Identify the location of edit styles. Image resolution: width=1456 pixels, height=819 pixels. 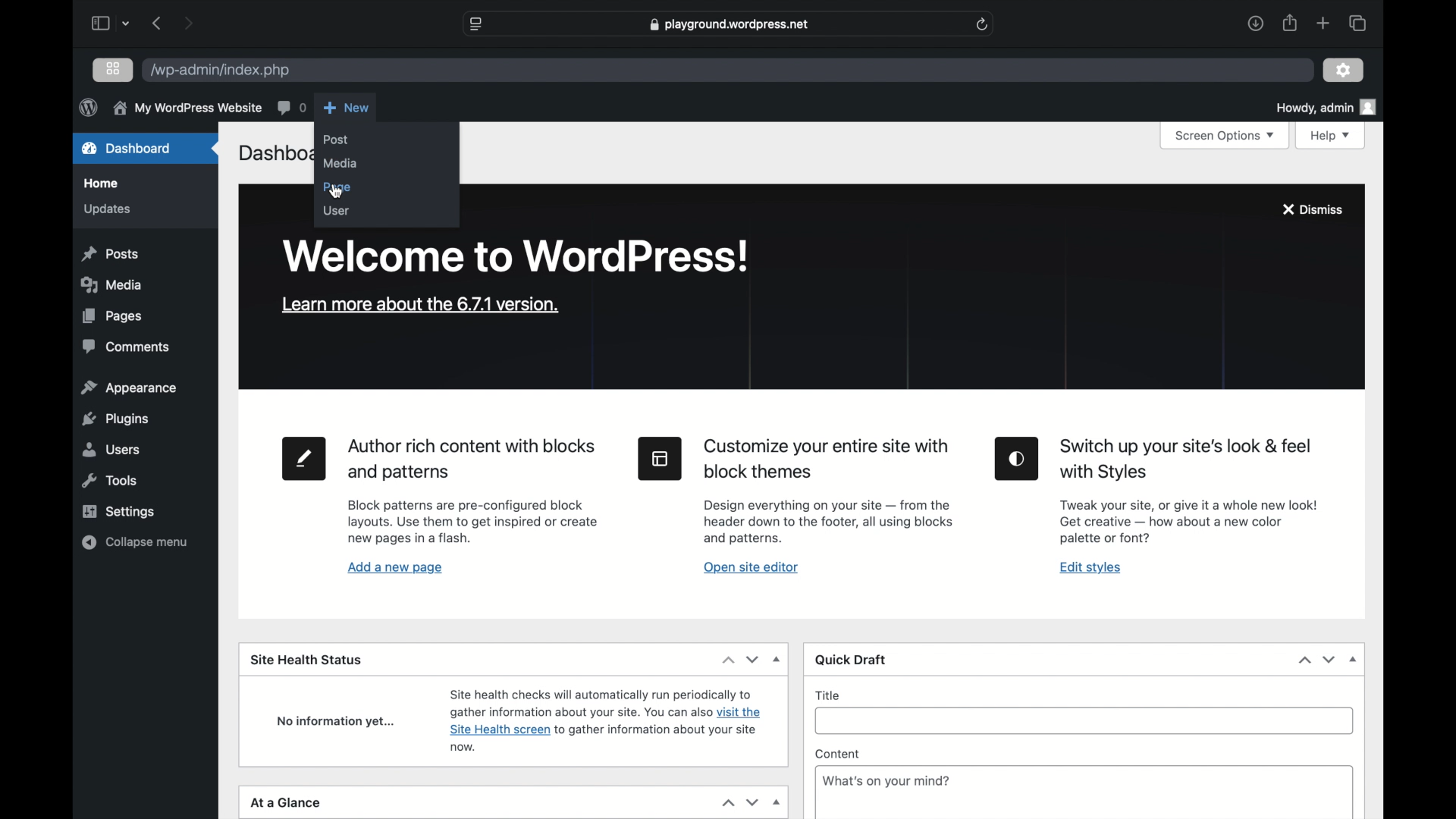
(1018, 460).